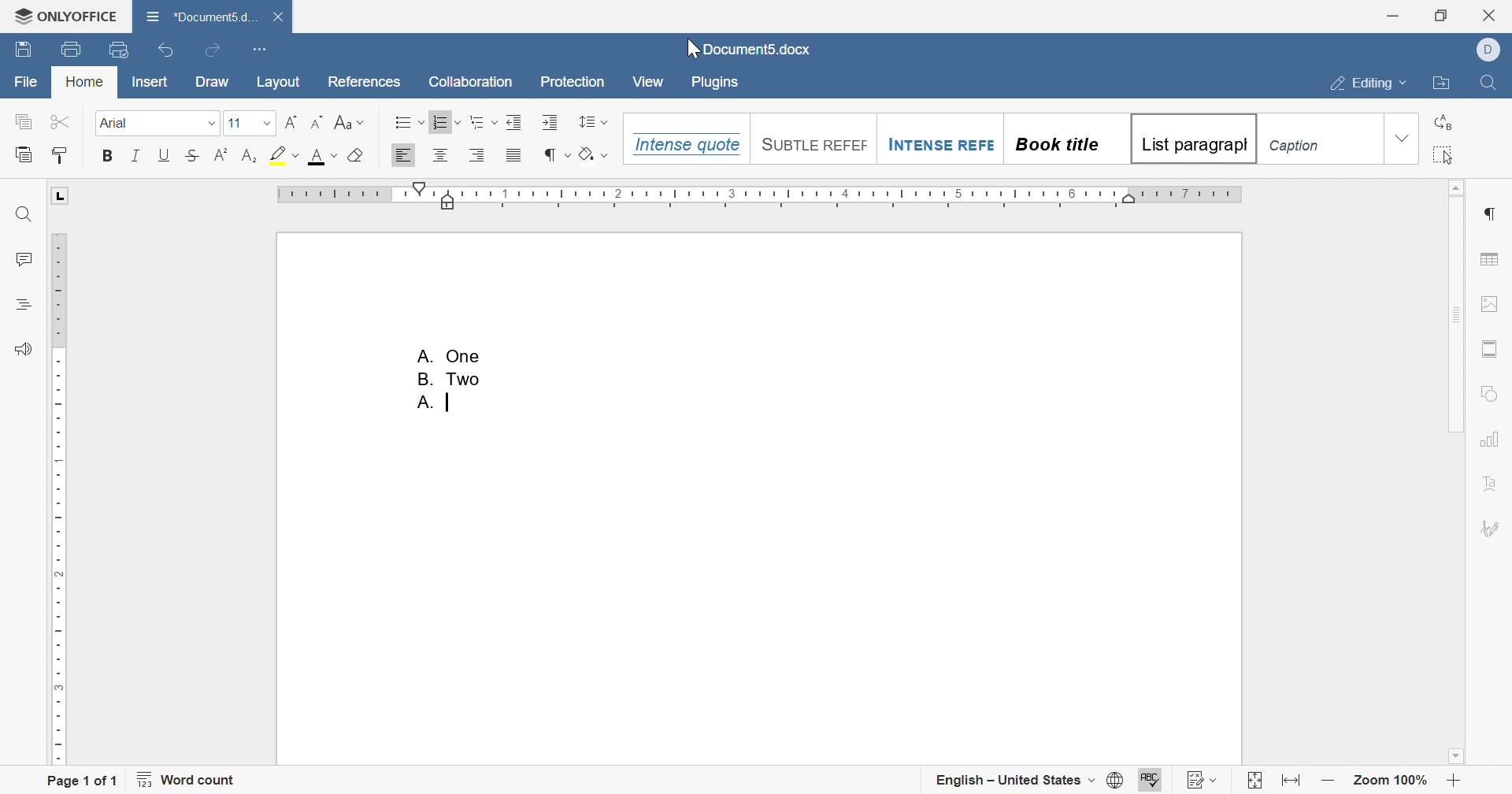 The width and height of the screenshot is (1512, 794). What do you see at coordinates (61, 195) in the screenshot?
I see `L` at bounding box center [61, 195].